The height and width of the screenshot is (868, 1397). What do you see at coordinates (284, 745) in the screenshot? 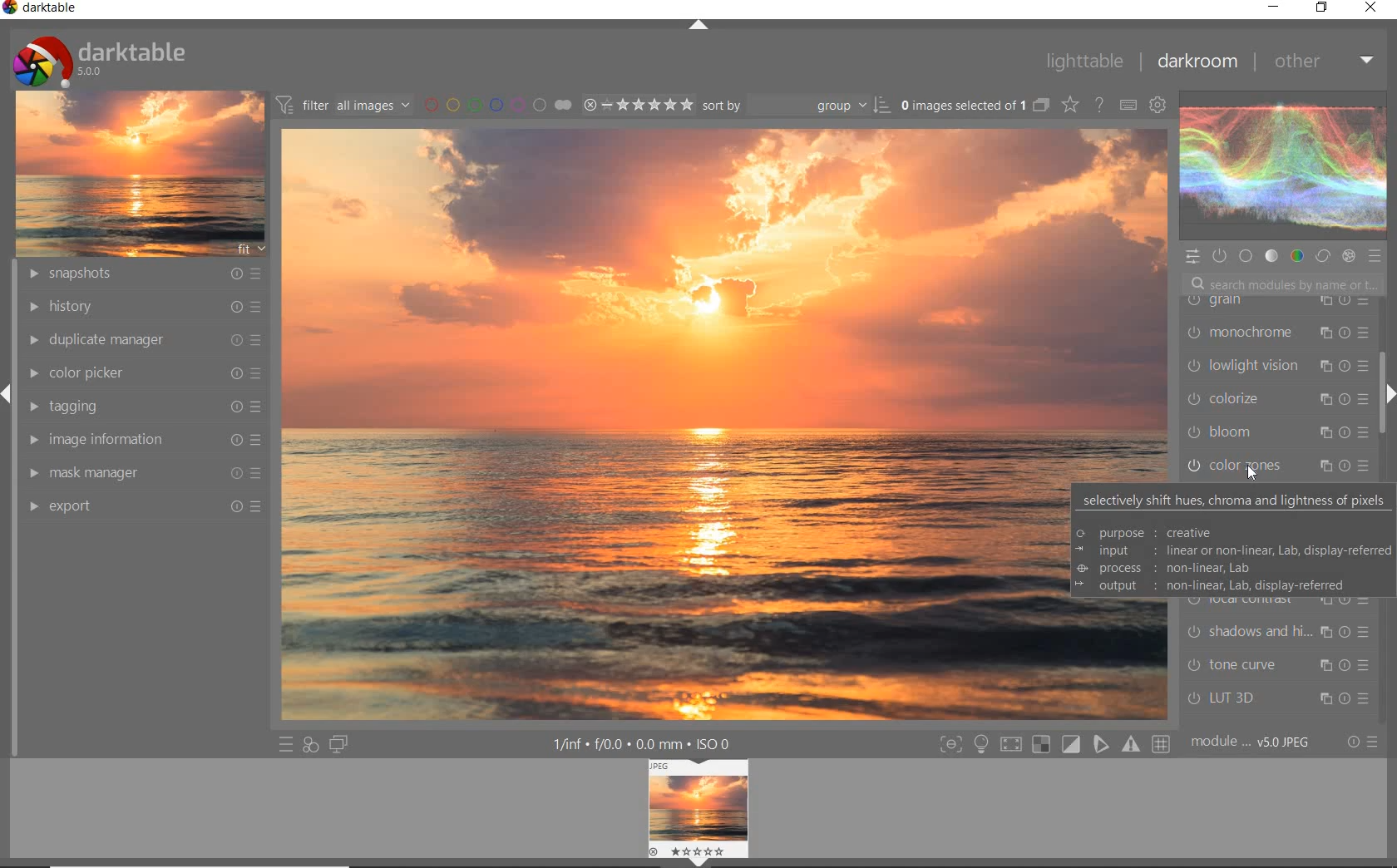
I see `QUICK ACCESS TO PRESET` at bounding box center [284, 745].